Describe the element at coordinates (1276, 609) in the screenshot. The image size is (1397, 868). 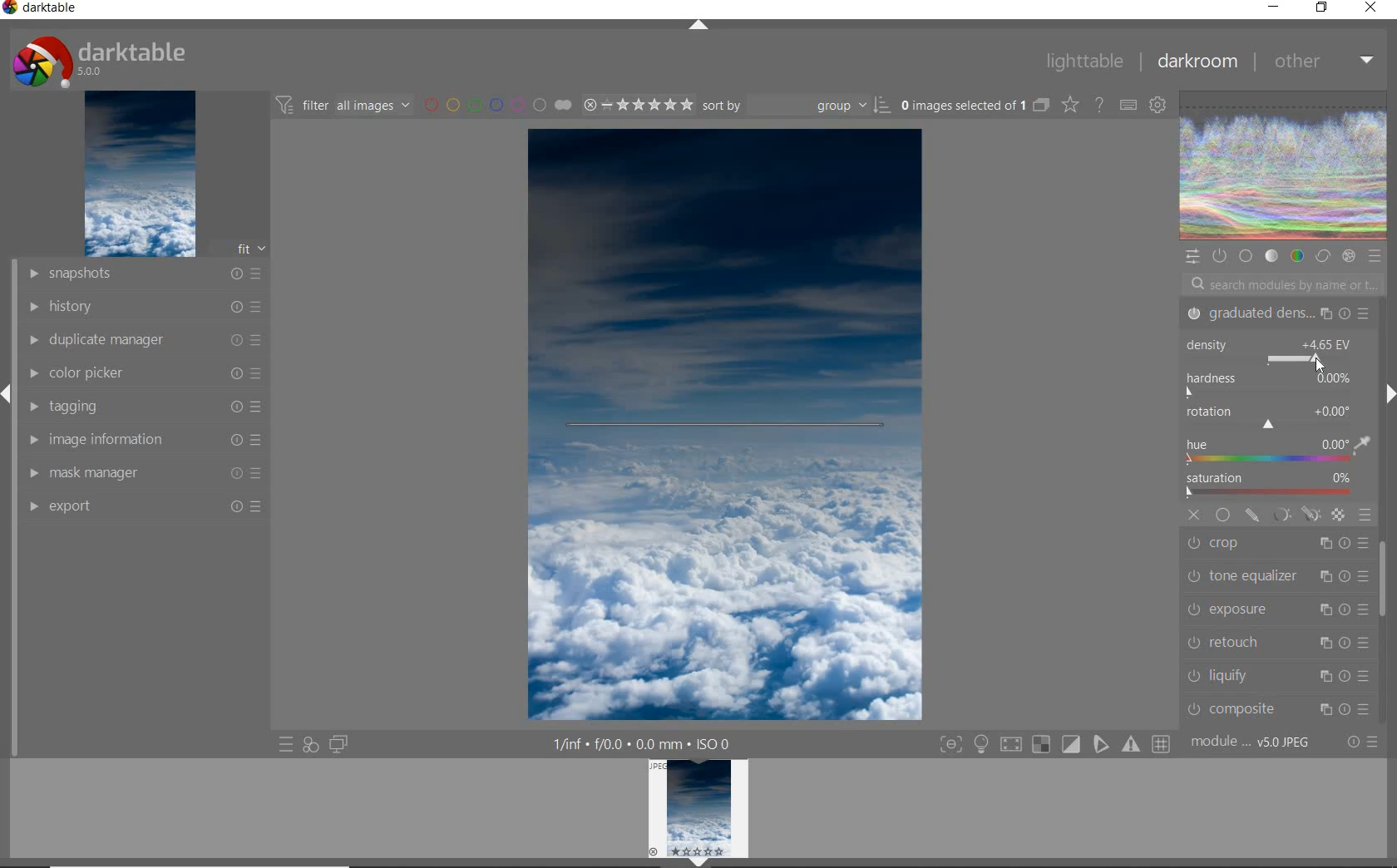
I see `exposure` at that location.